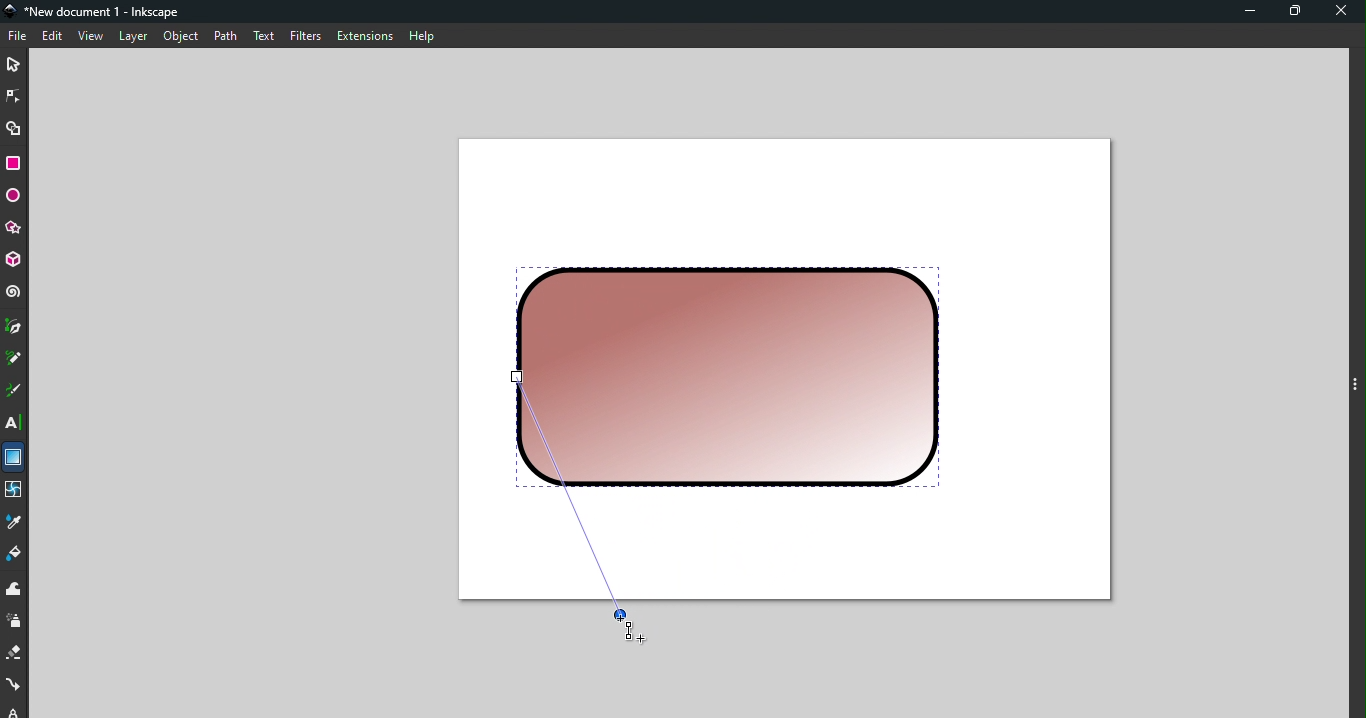 The height and width of the screenshot is (718, 1366). What do you see at coordinates (15, 423) in the screenshot?
I see `Text tool` at bounding box center [15, 423].